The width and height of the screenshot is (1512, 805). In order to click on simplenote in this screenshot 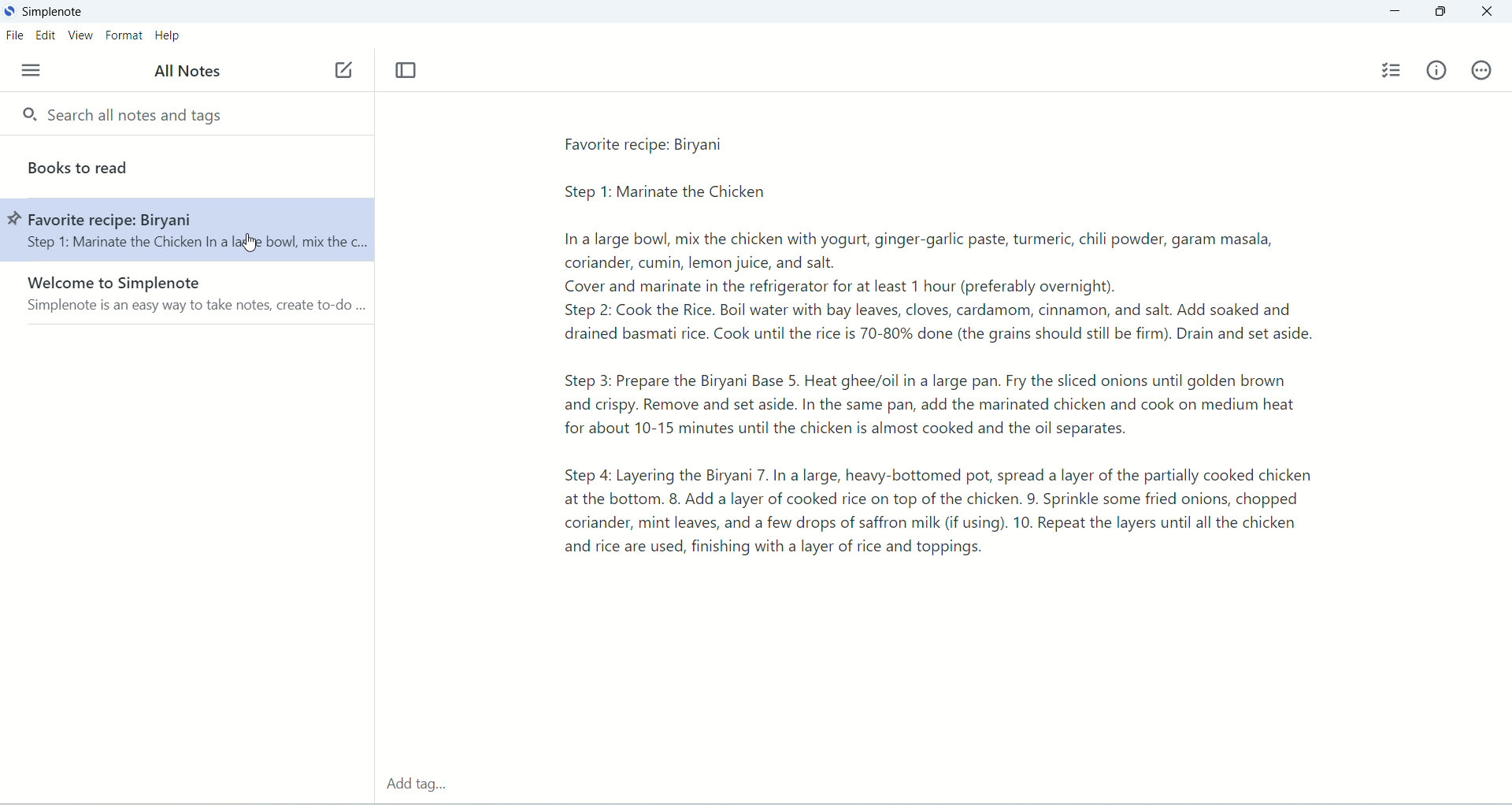, I will do `click(55, 13)`.